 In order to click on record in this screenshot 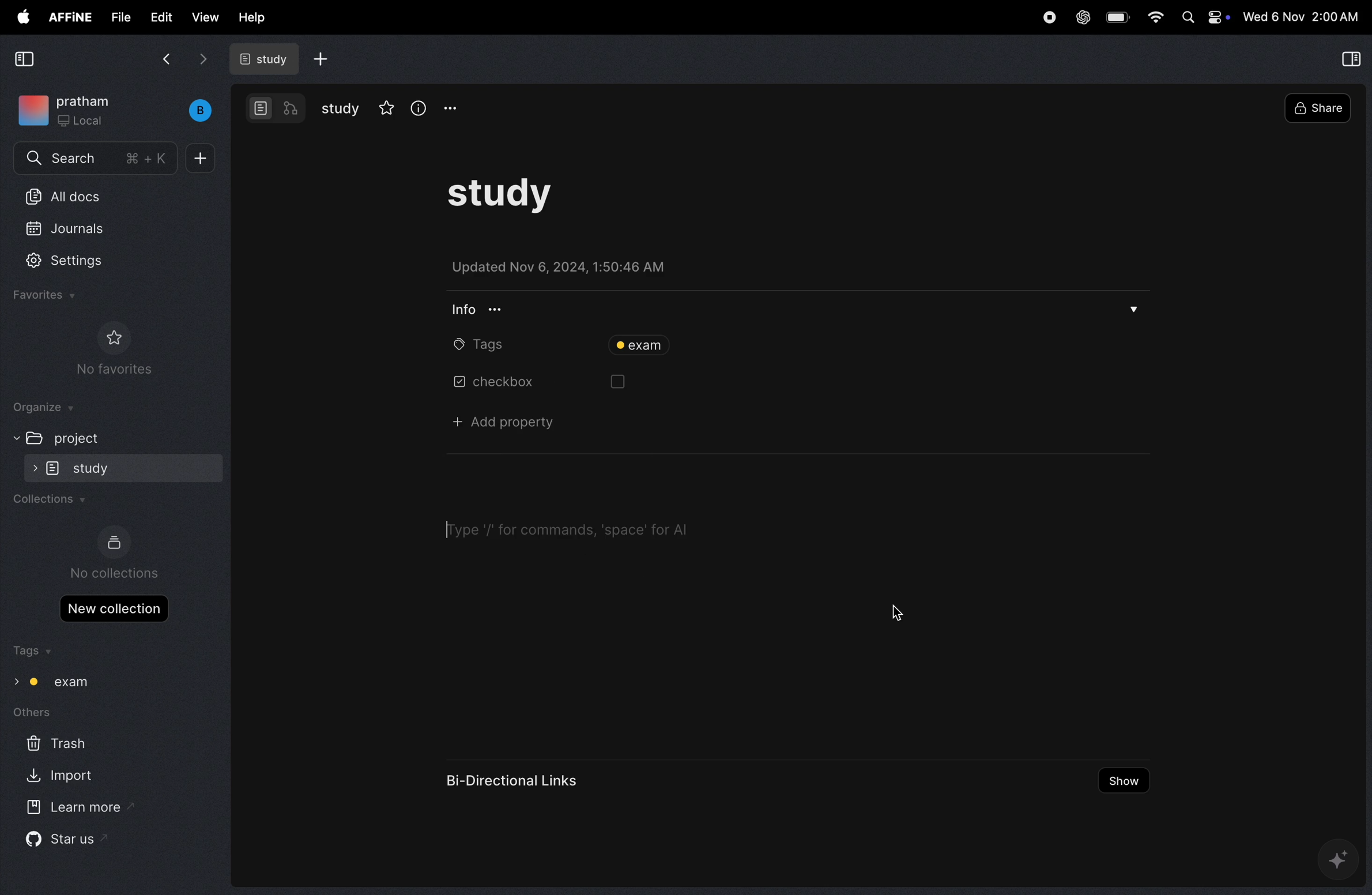, I will do `click(1046, 18)`.